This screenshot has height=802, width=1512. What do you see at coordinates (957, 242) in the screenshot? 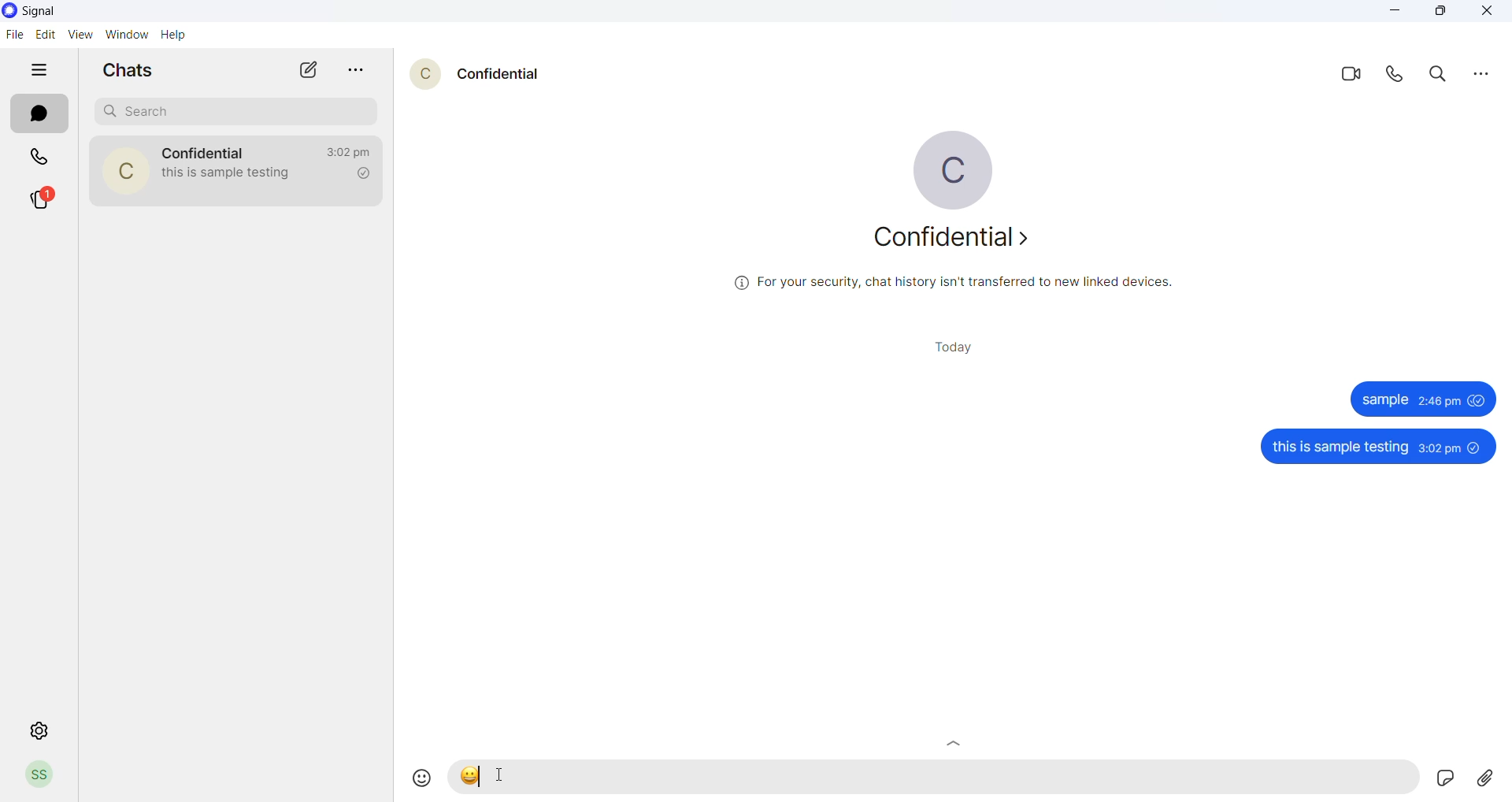
I see `about contact` at bounding box center [957, 242].